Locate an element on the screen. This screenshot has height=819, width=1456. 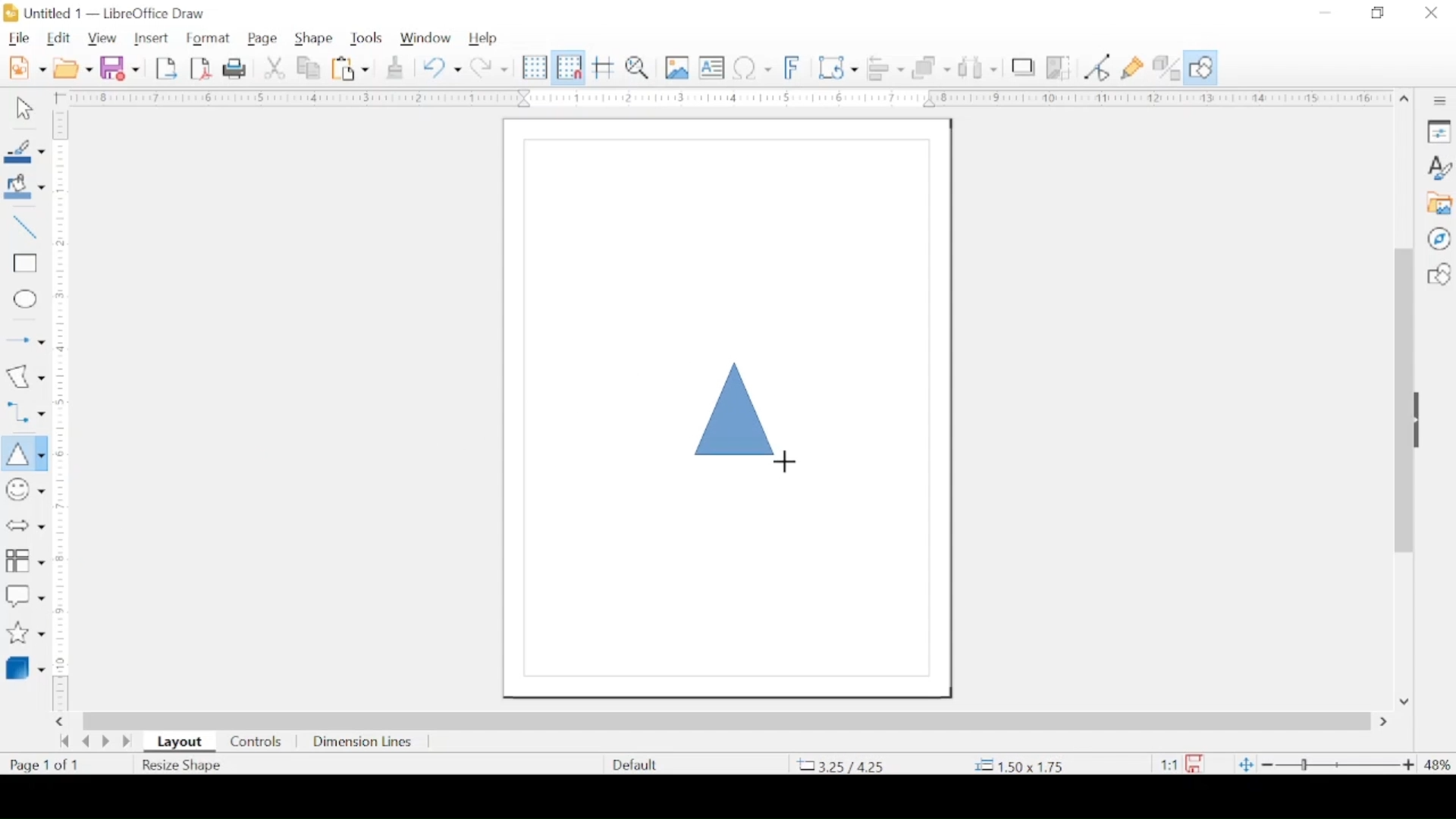
file is located at coordinates (19, 37).